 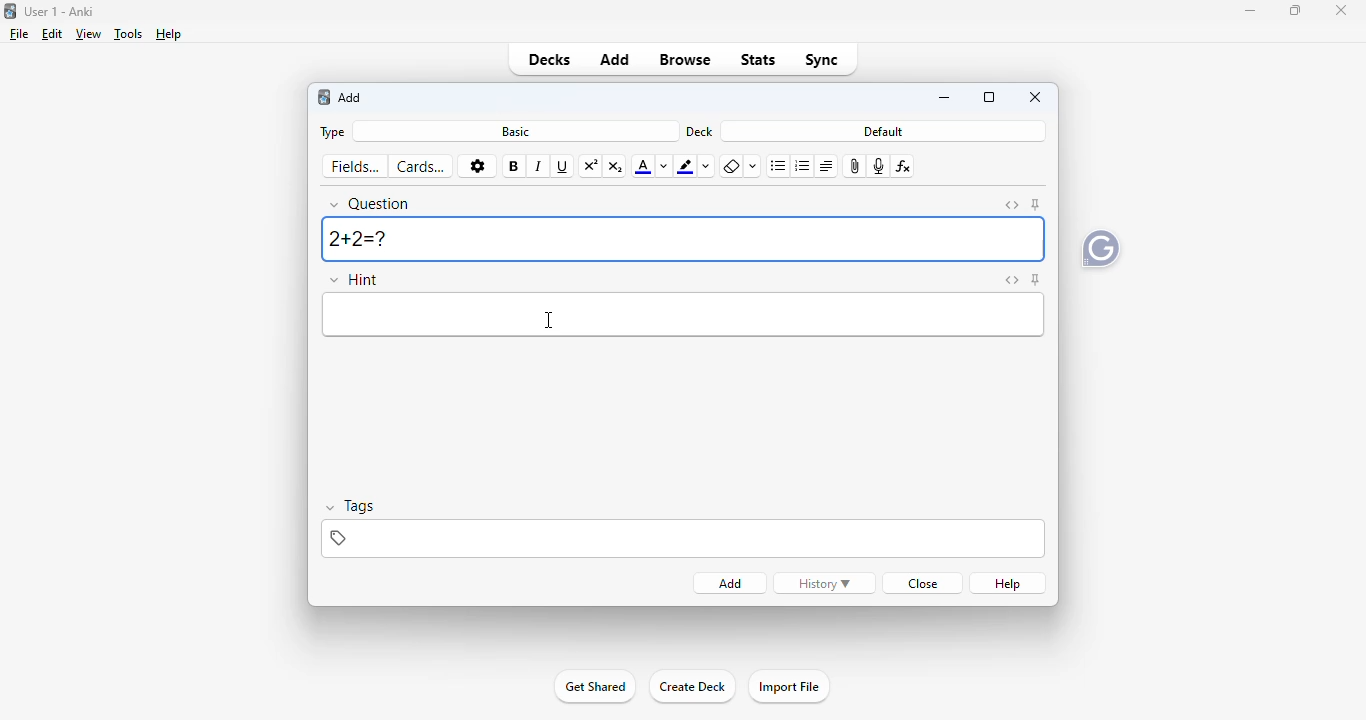 What do you see at coordinates (827, 166) in the screenshot?
I see `alignment` at bounding box center [827, 166].